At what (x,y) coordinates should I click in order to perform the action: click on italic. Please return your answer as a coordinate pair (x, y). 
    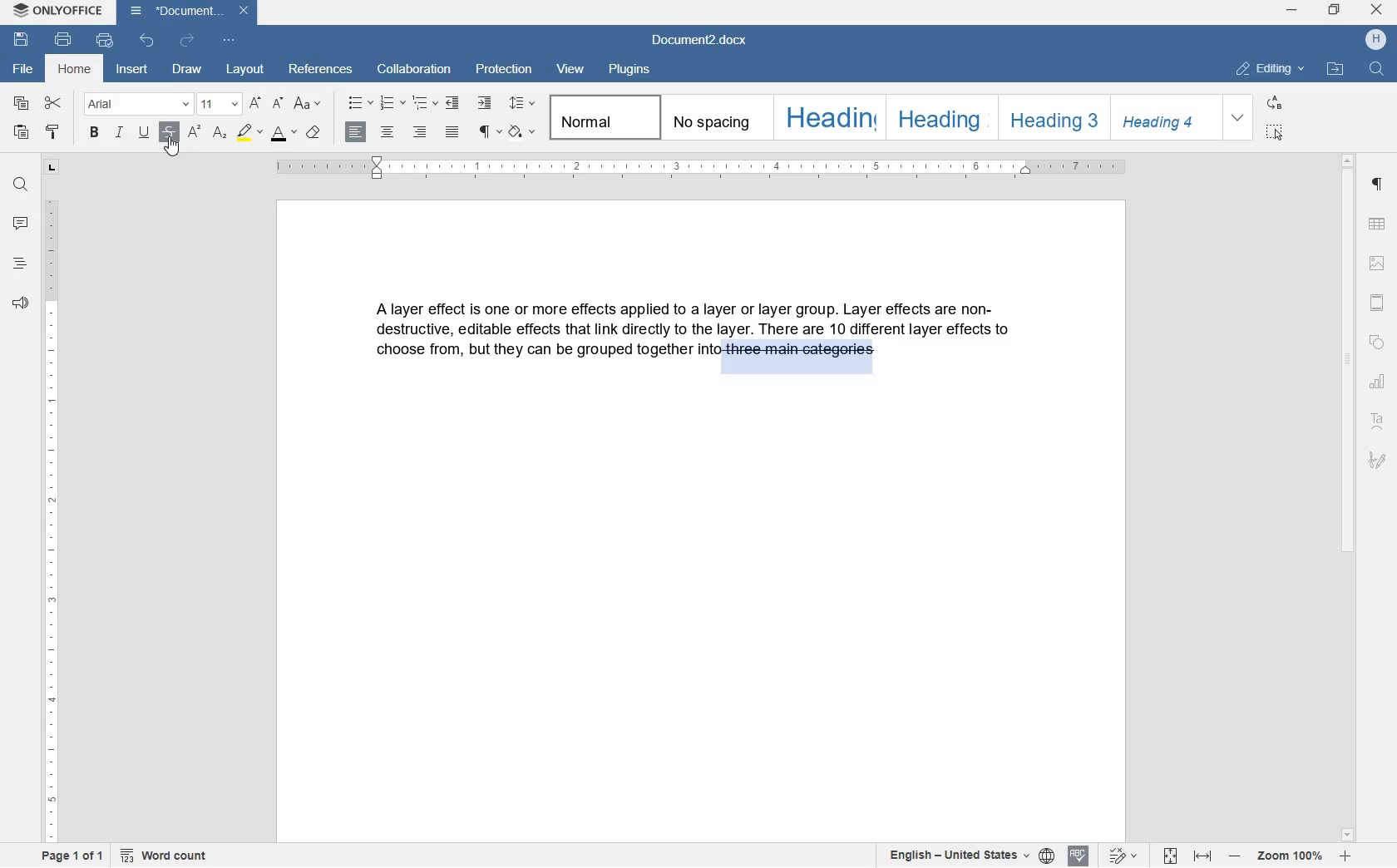
    Looking at the image, I should click on (121, 135).